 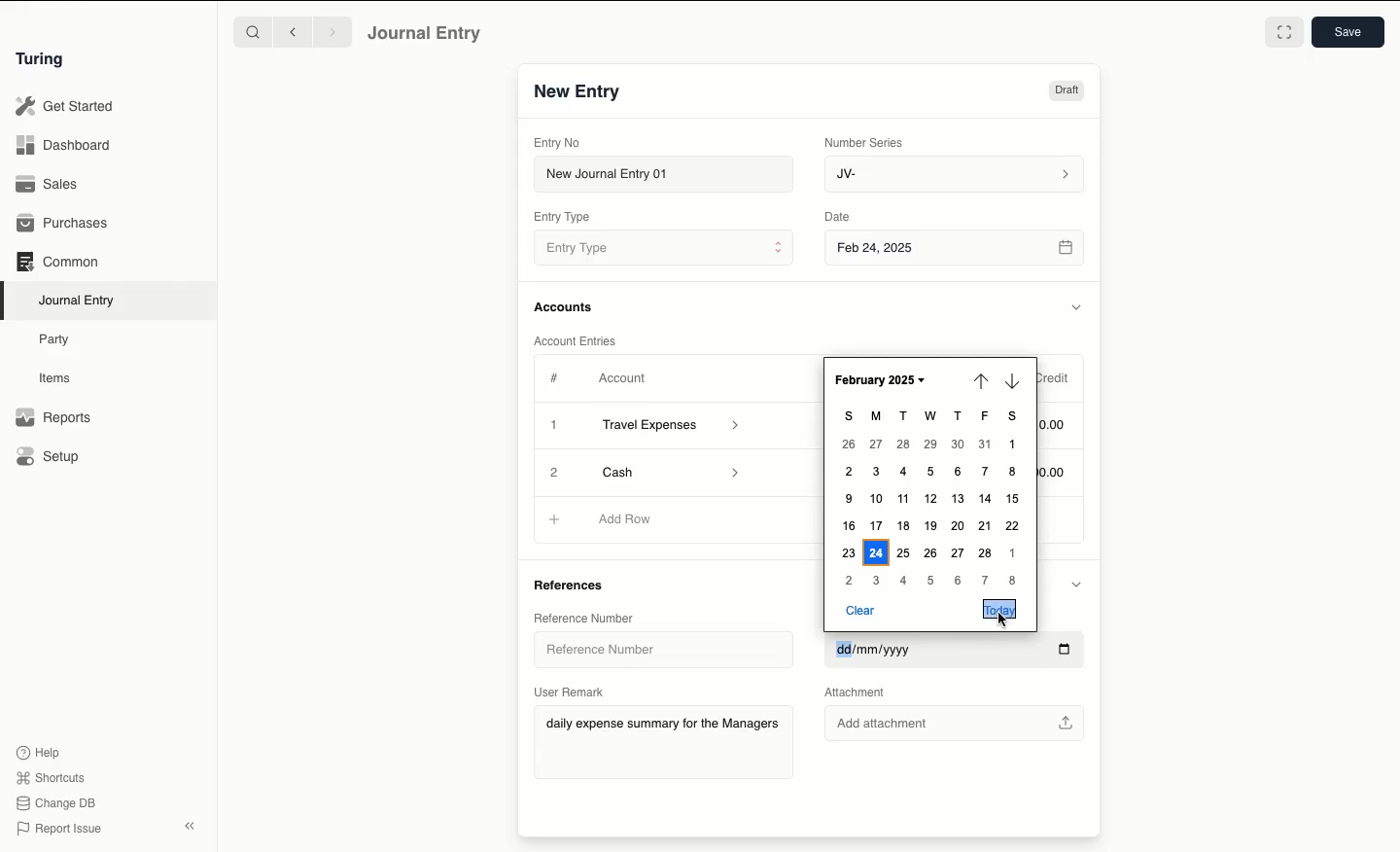 What do you see at coordinates (626, 518) in the screenshot?
I see `Add Row` at bounding box center [626, 518].